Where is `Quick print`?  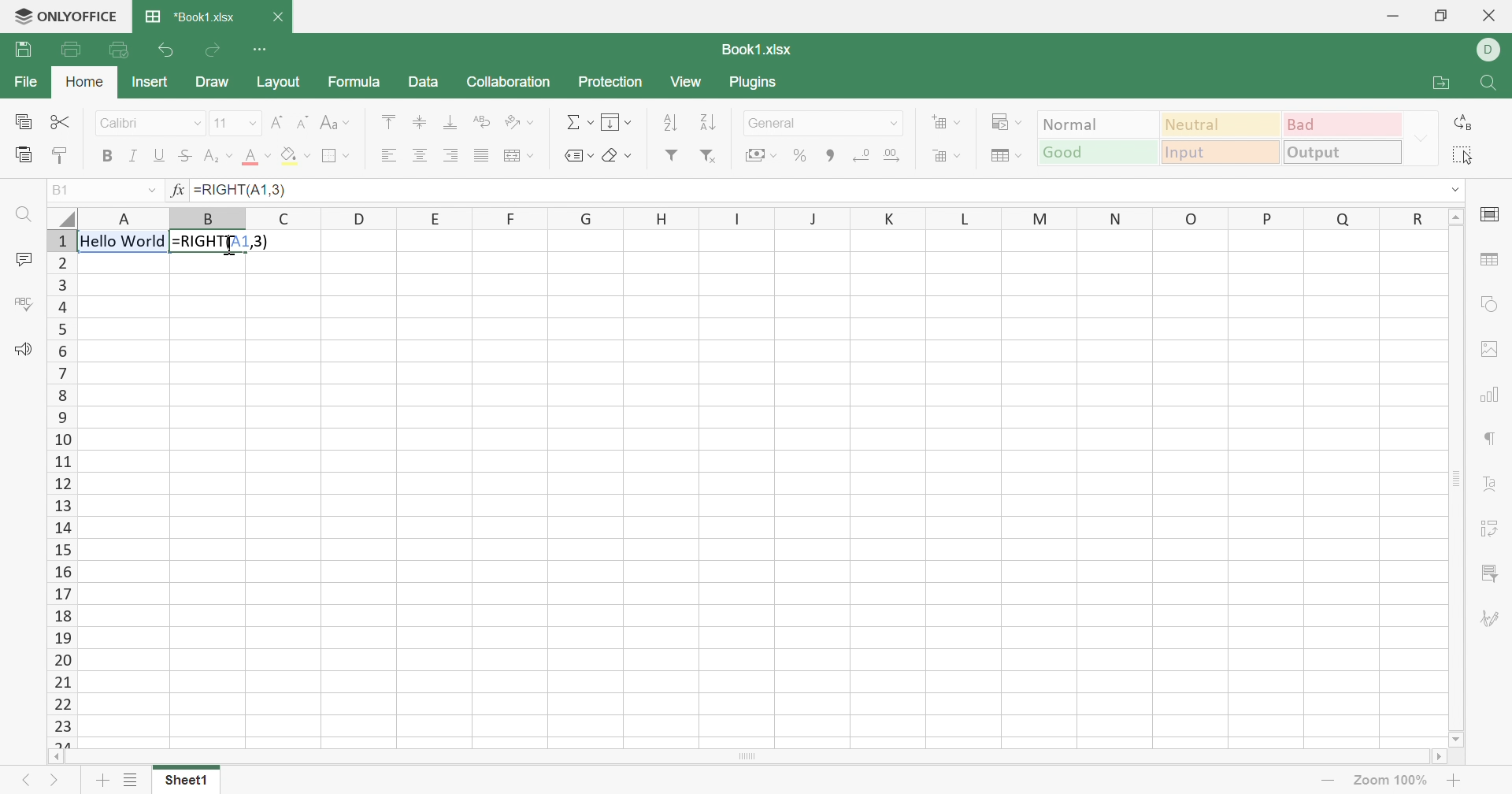 Quick print is located at coordinates (121, 50).